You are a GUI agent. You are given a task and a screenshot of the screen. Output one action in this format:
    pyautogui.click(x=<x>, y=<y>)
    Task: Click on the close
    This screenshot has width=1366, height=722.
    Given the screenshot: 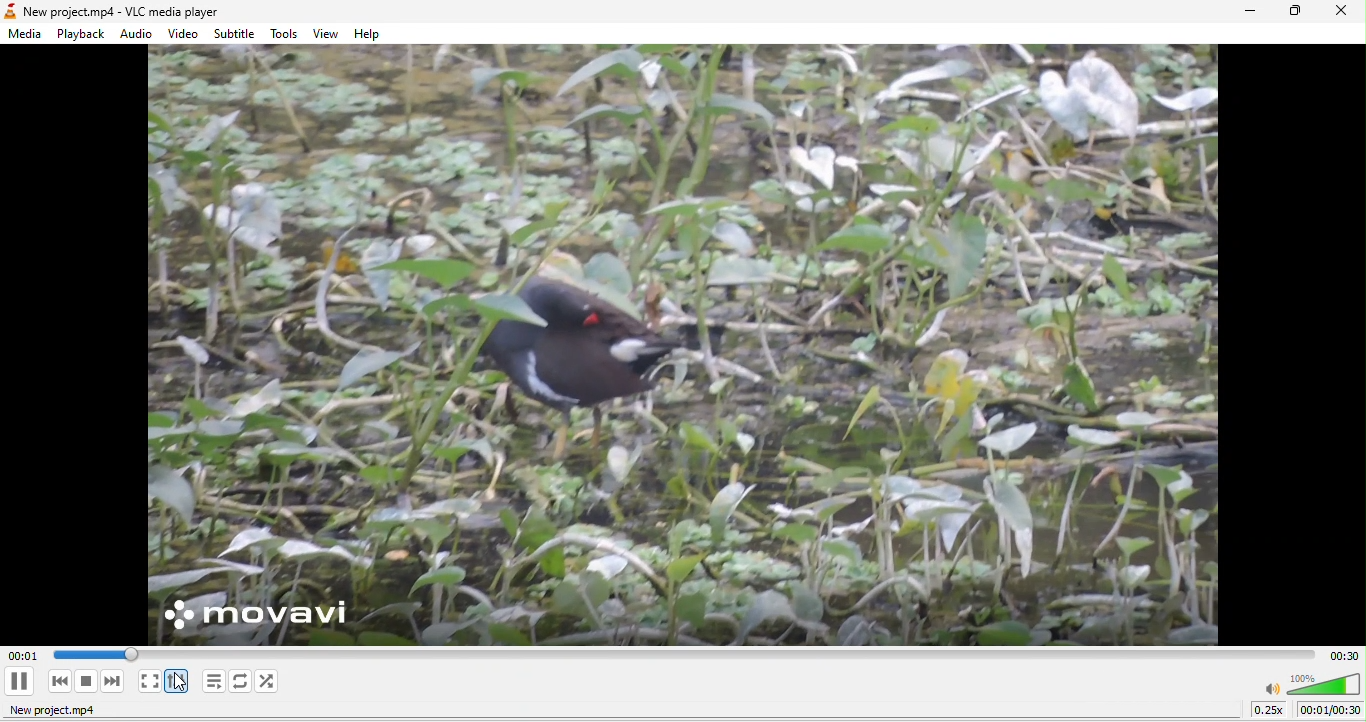 What is the action you would take?
    pyautogui.click(x=1343, y=13)
    